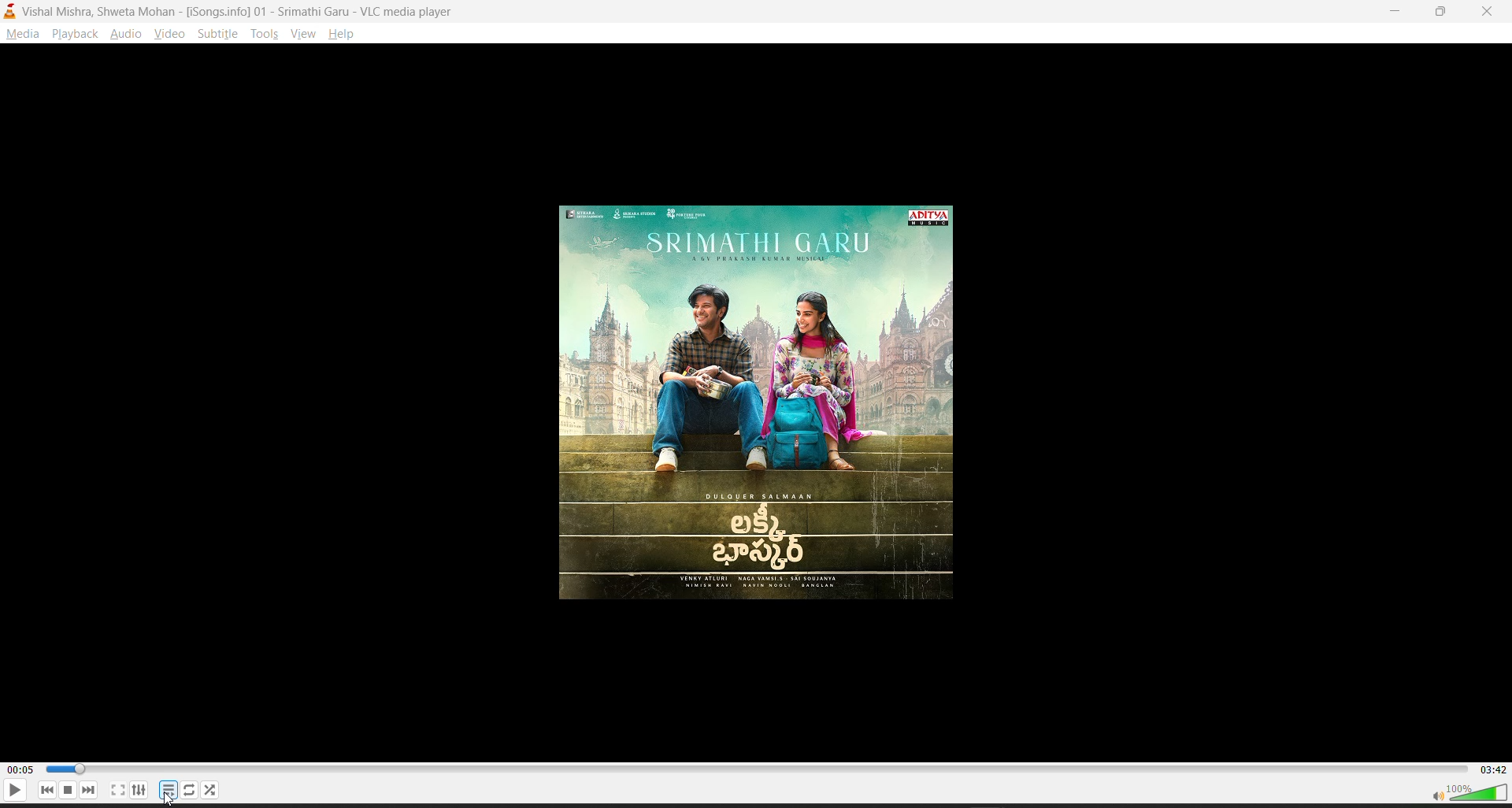 The width and height of the screenshot is (1512, 808). What do you see at coordinates (191, 791) in the screenshot?
I see `loop` at bounding box center [191, 791].